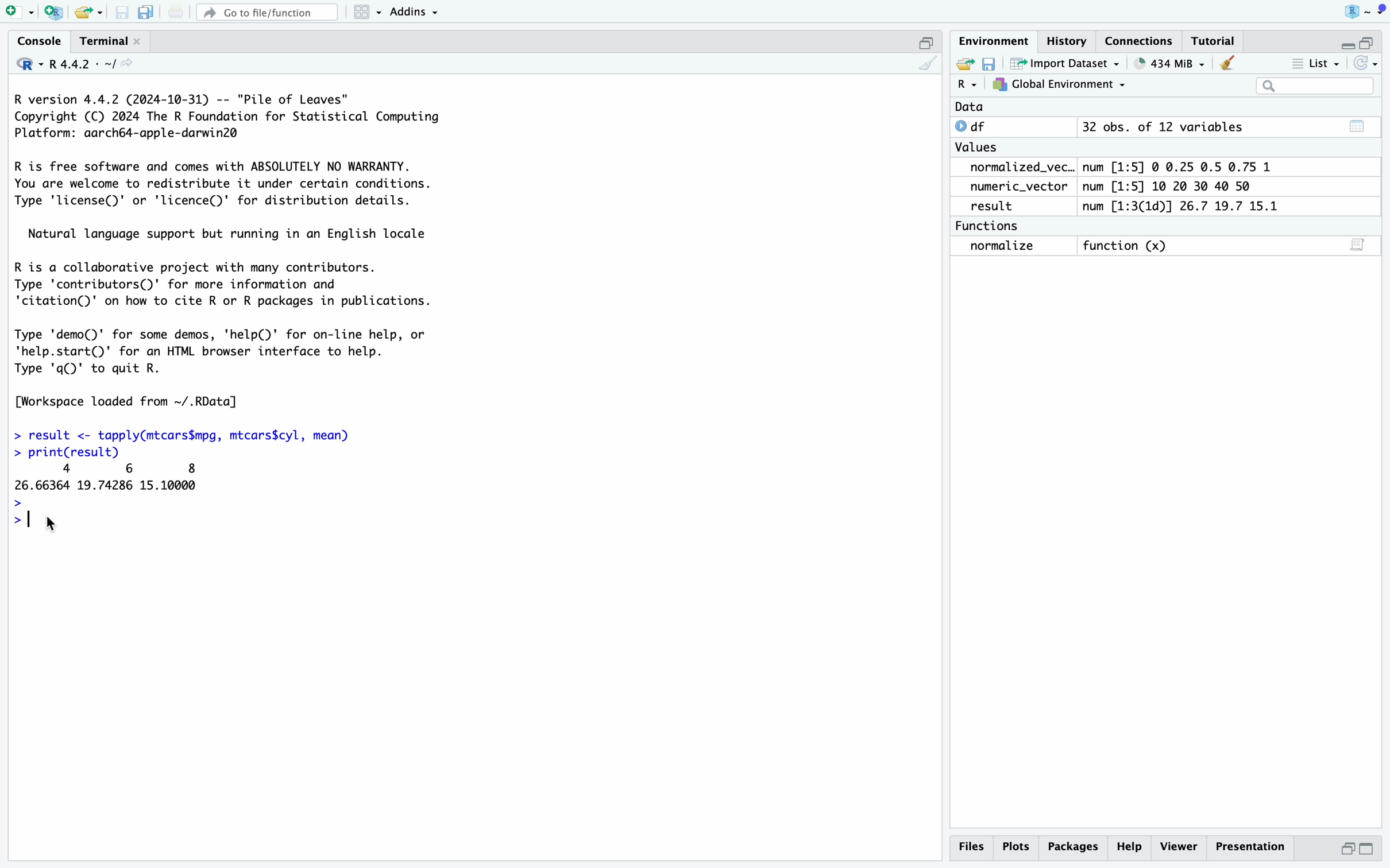 The height and width of the screenshot is (868, 1390). I want to click on Open existing file, so click(88, 12).